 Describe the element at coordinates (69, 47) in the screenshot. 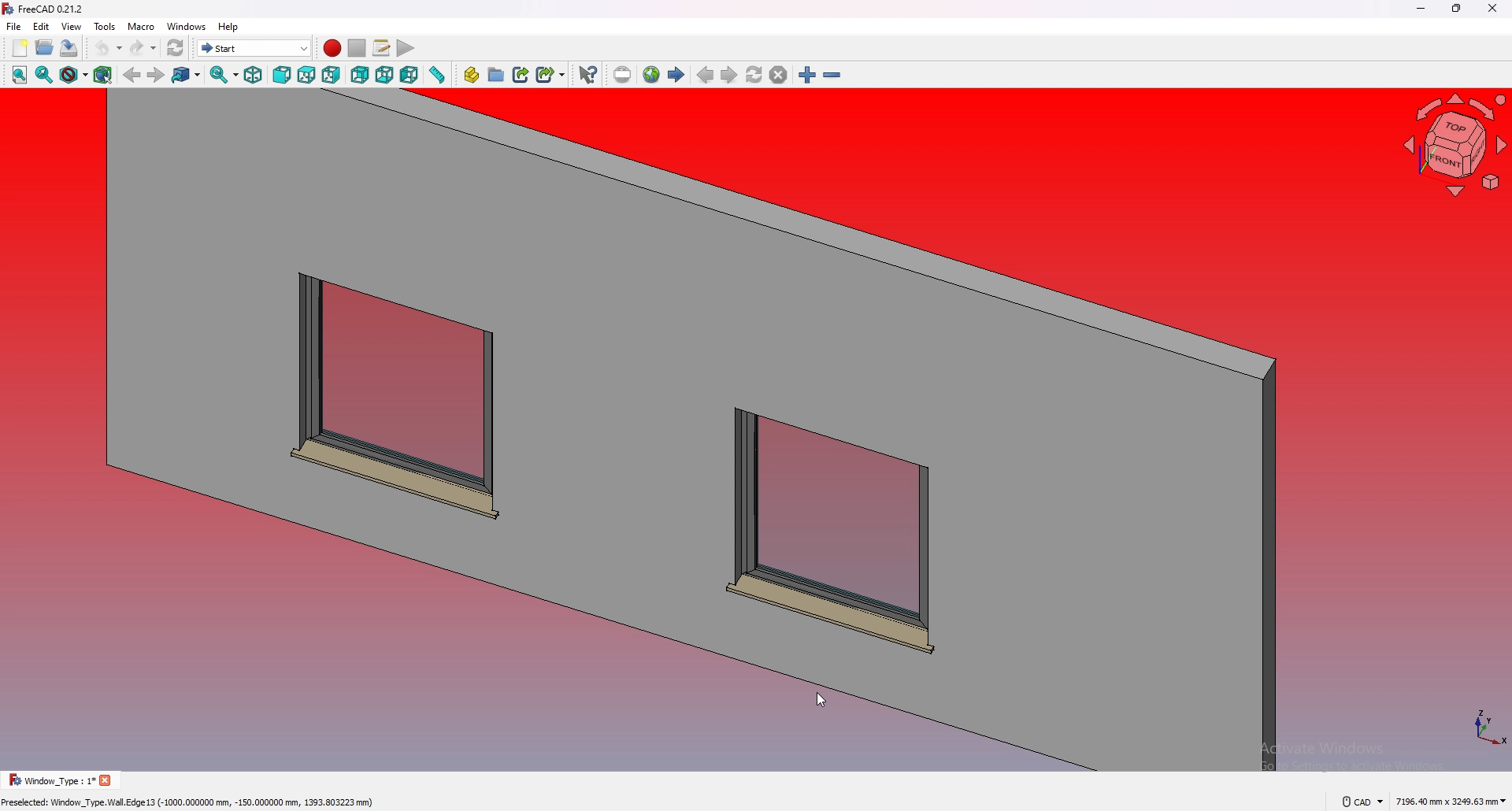

I see `save` at that location.